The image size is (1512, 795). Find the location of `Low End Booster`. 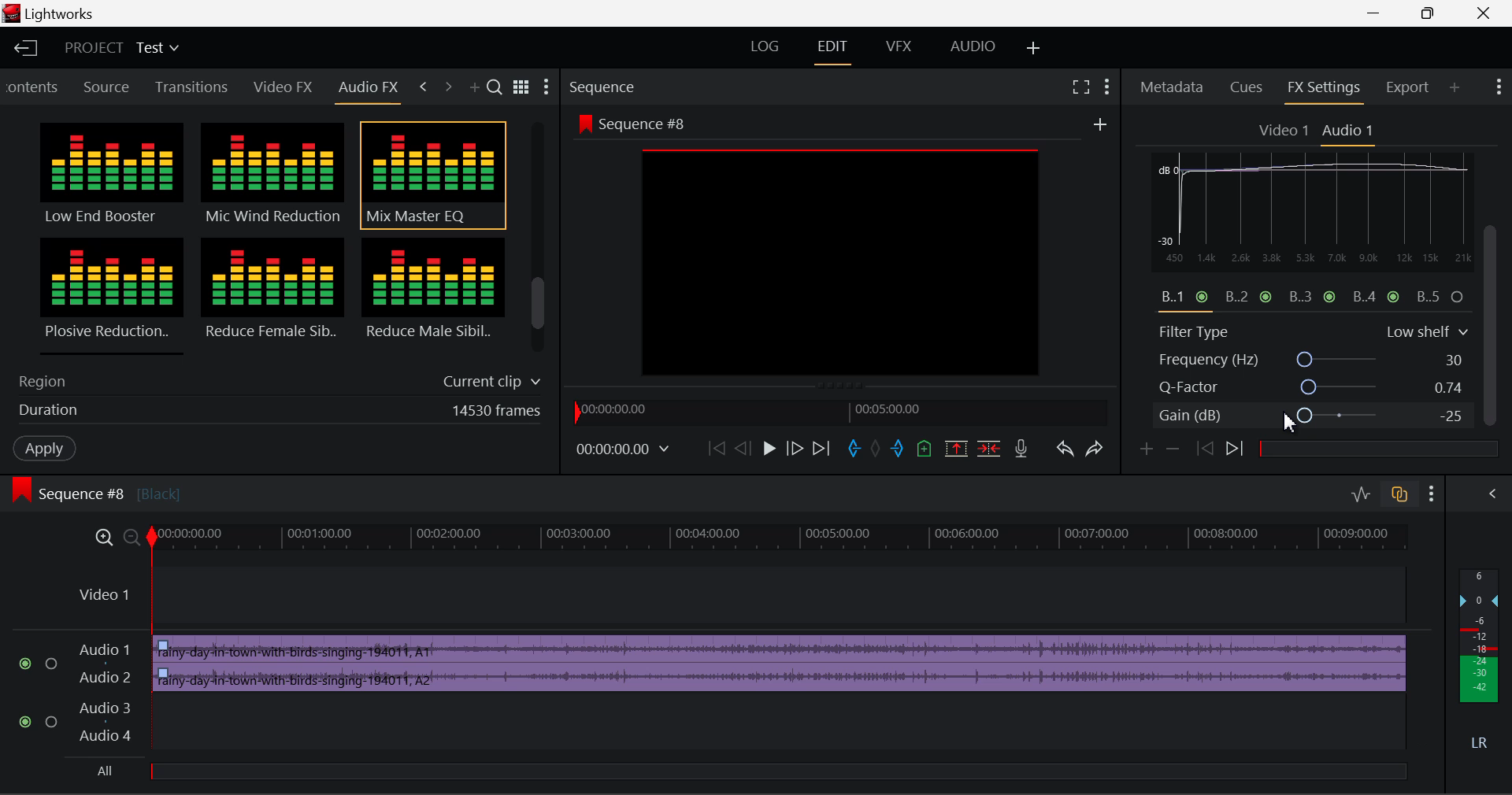

Low End Booster is located at coordinates (109, 175).